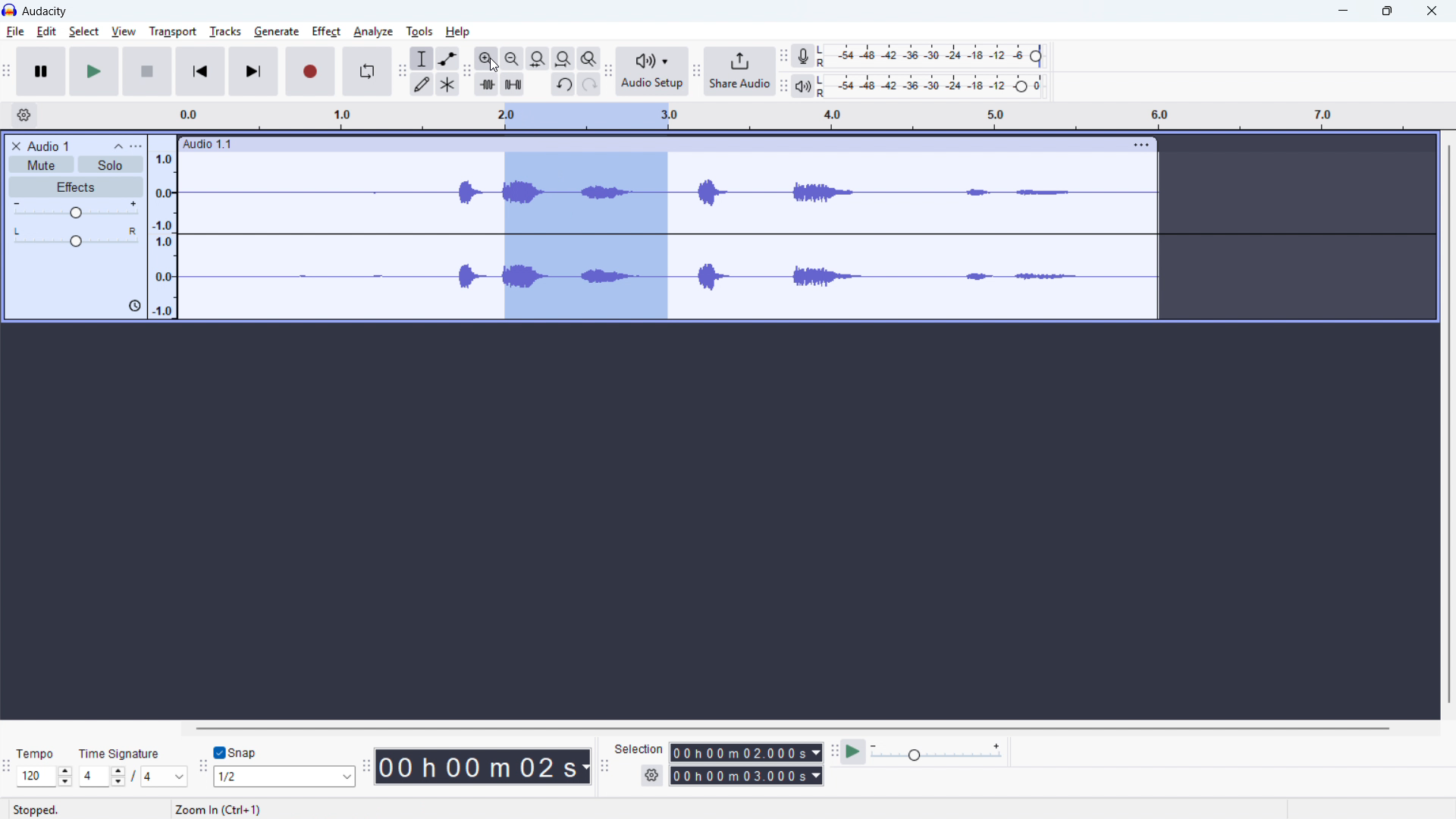  Describe the element at coordinates (485, 58) in the screenshot. I see `ZoZoom in` at that location.